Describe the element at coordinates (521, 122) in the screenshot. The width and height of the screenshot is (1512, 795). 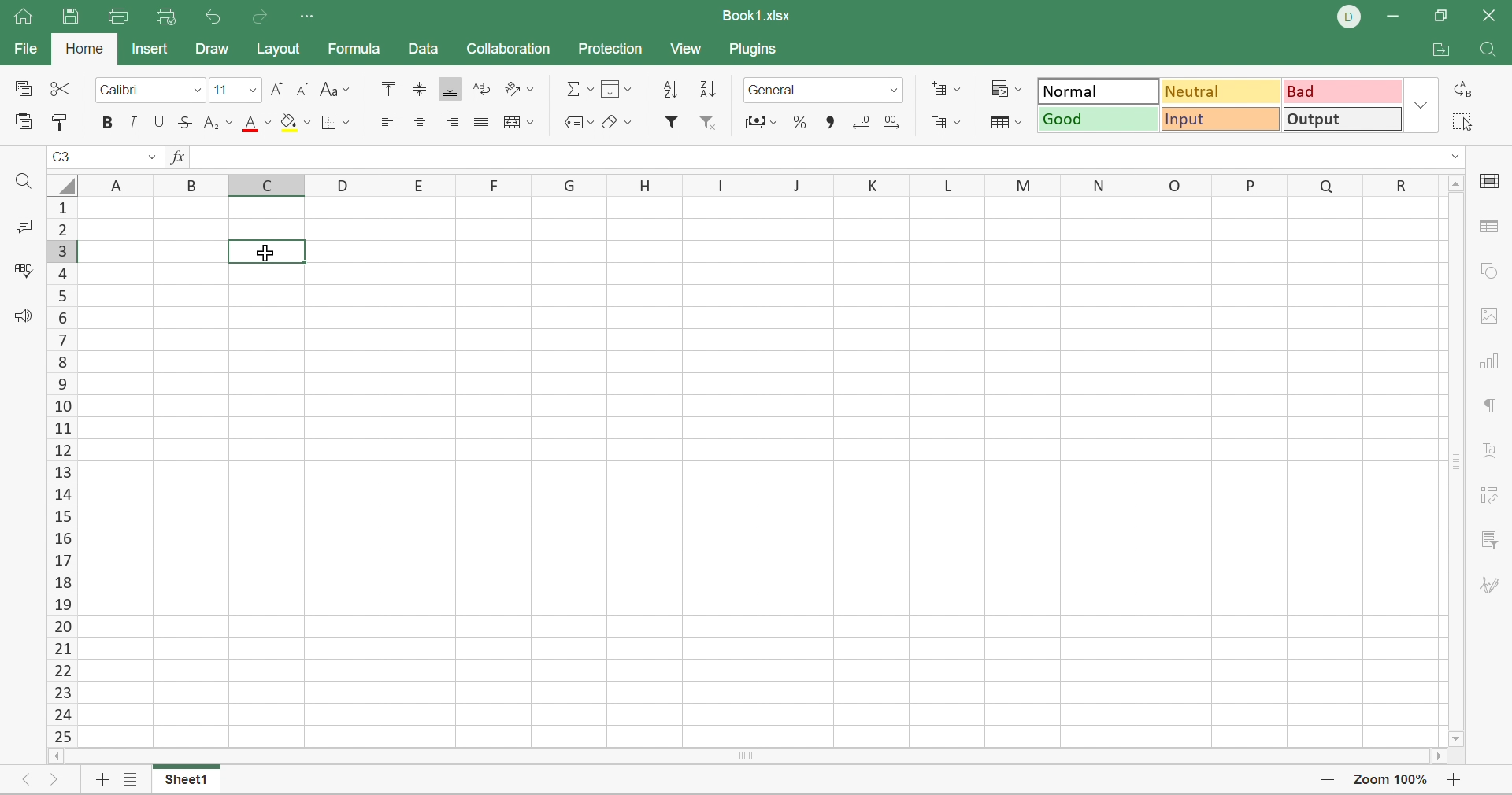
I see `Merge and center` at that location.